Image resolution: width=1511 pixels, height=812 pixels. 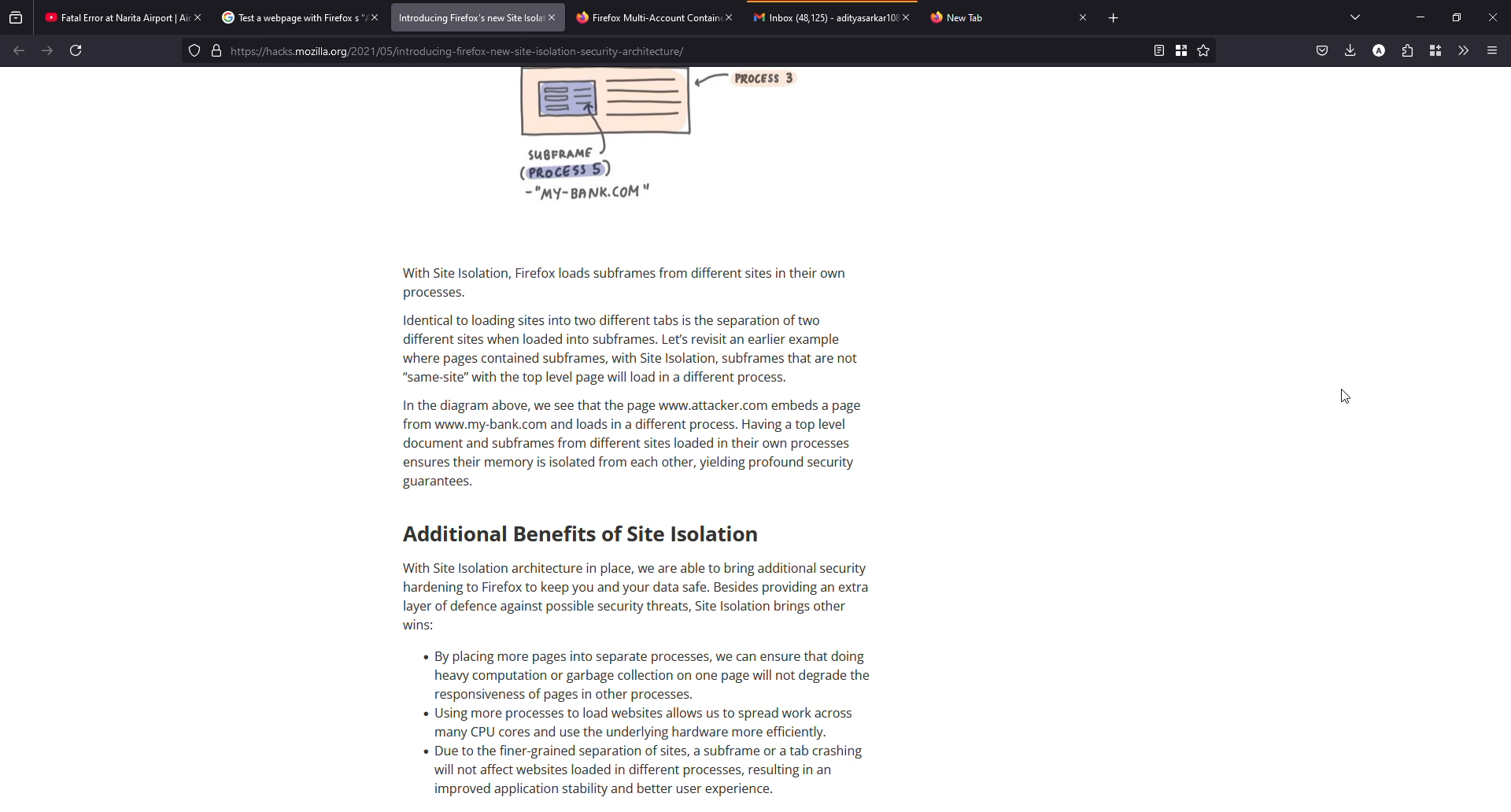 I want to click on Diagram, so click(x=650, y=145).